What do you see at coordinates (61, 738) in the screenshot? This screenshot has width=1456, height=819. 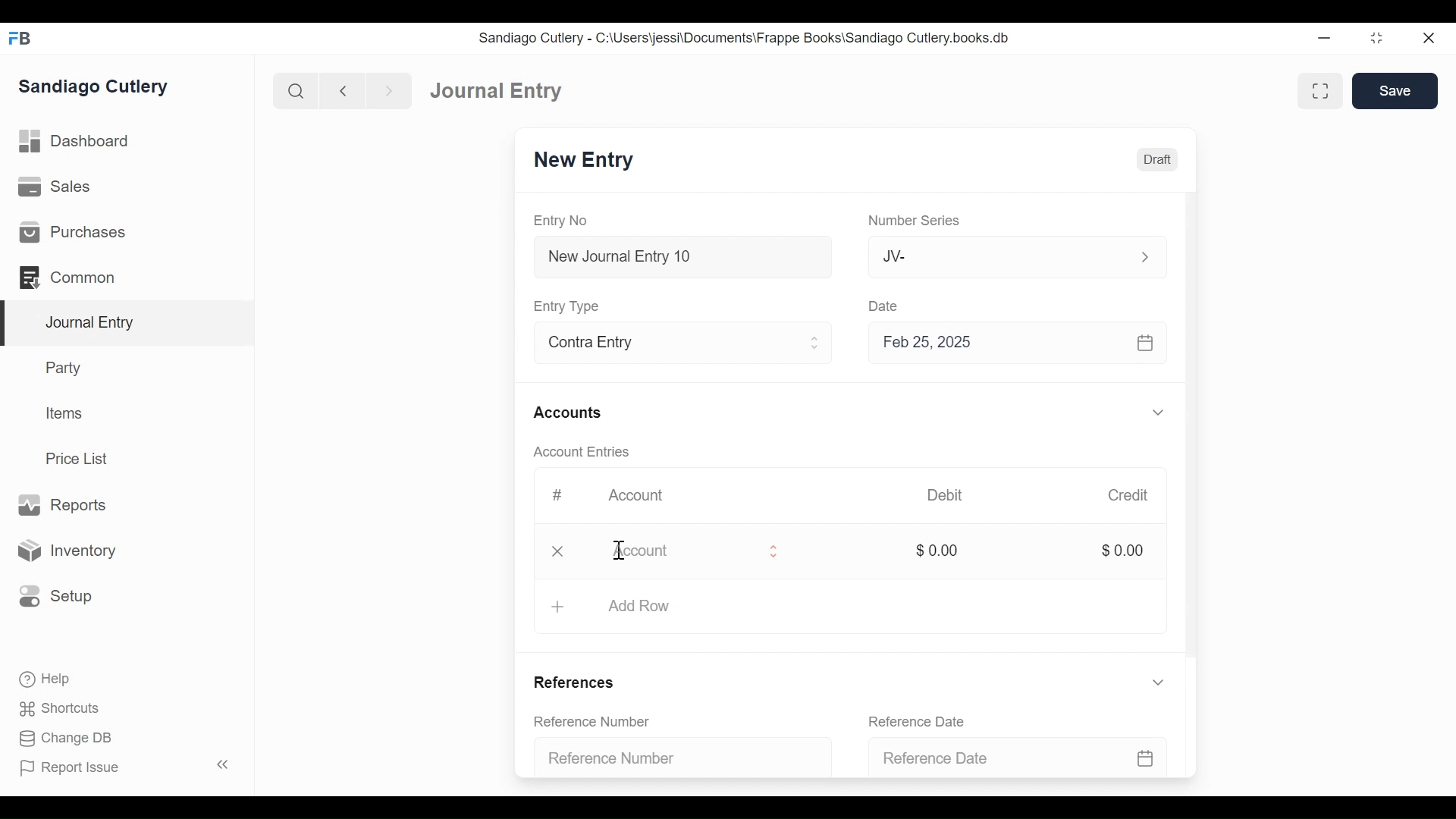 I see `Change DB` at bounding box center [61, 738].